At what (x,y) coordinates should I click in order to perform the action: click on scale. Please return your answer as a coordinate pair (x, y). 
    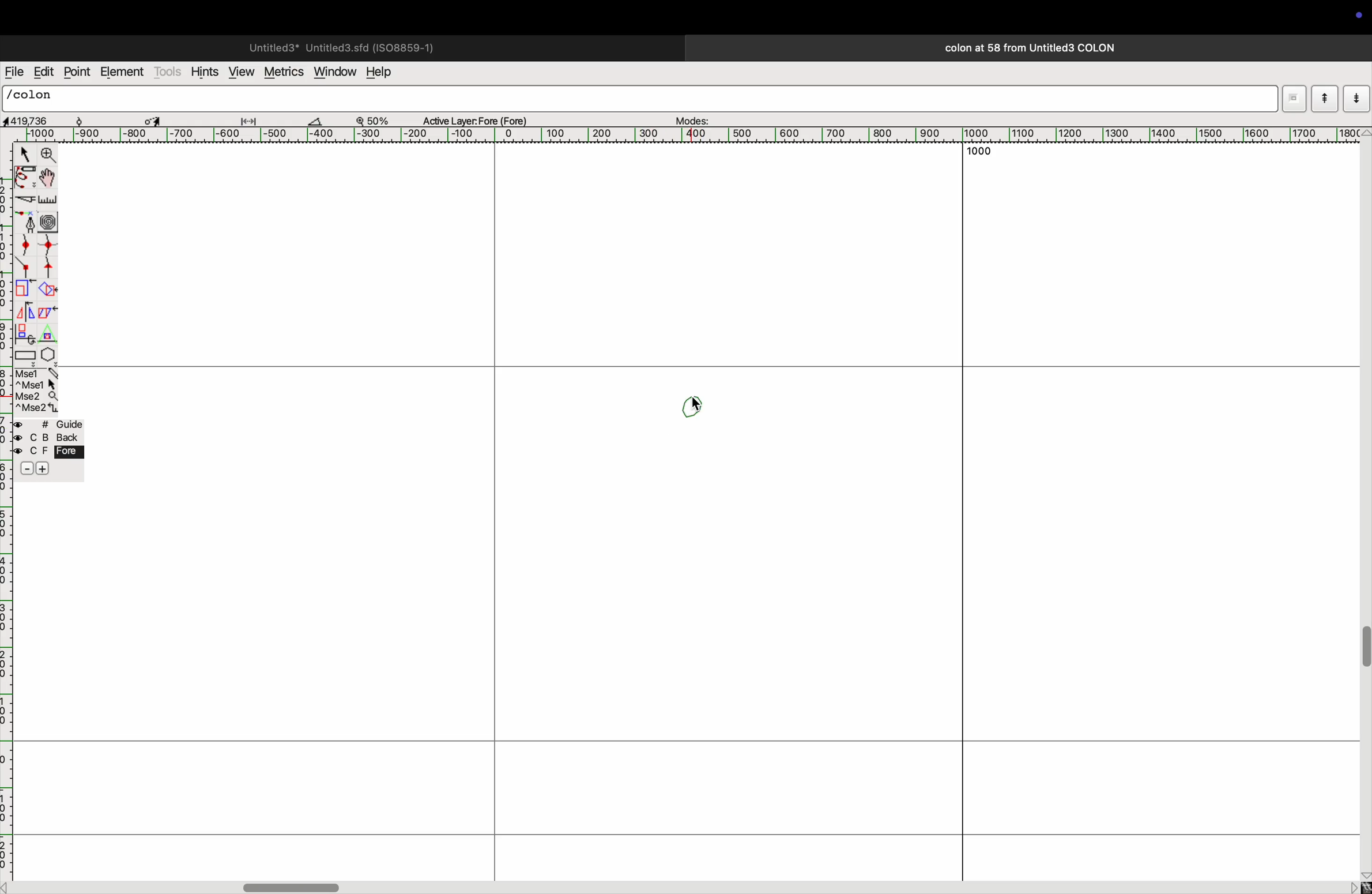
    Looking at the image, I should click on (48, 201).